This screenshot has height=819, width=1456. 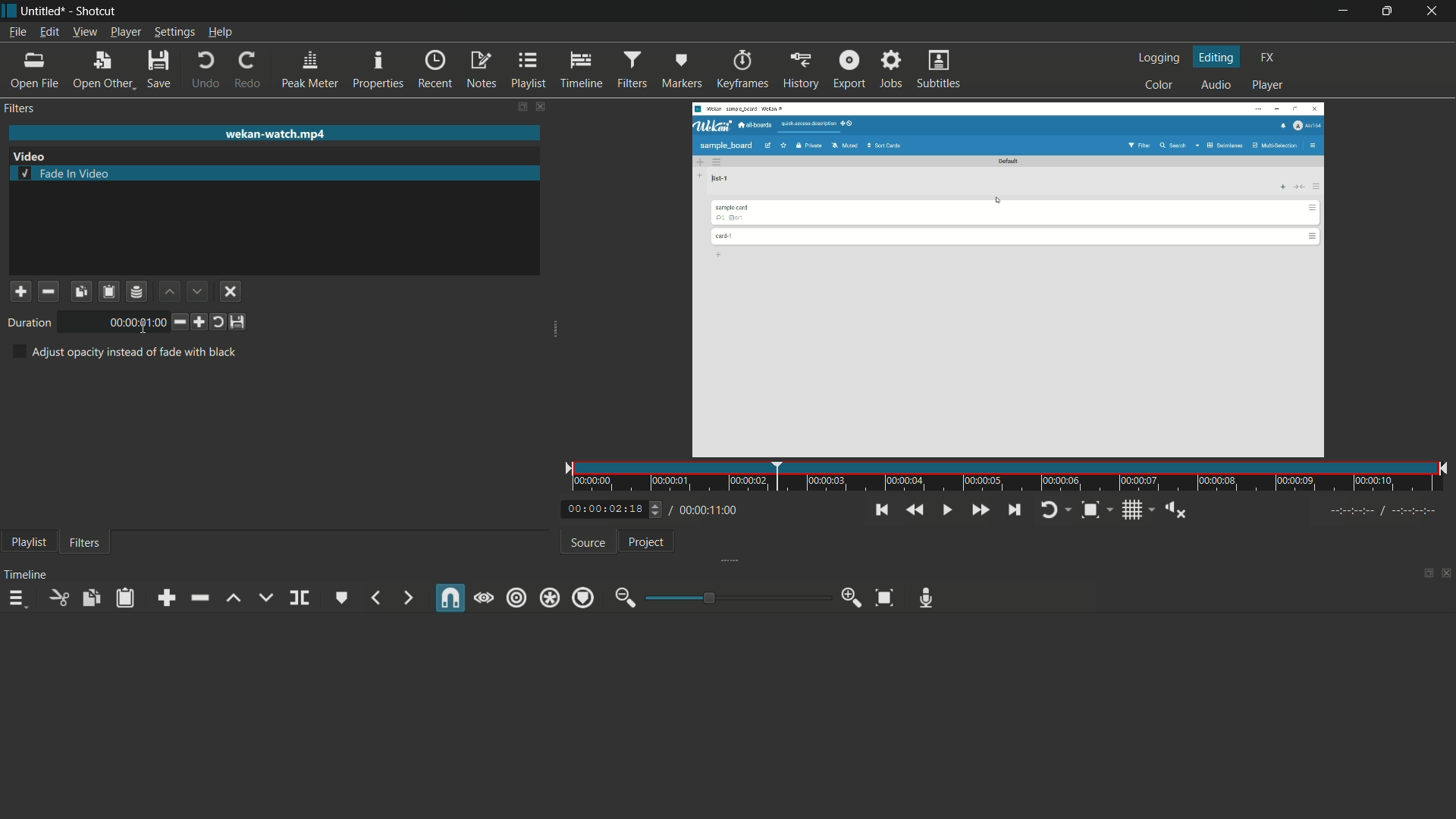 What do you see at coordinates (275, 134) in the screenshot?
I see `imported file name` at bounding box center [275, 134].